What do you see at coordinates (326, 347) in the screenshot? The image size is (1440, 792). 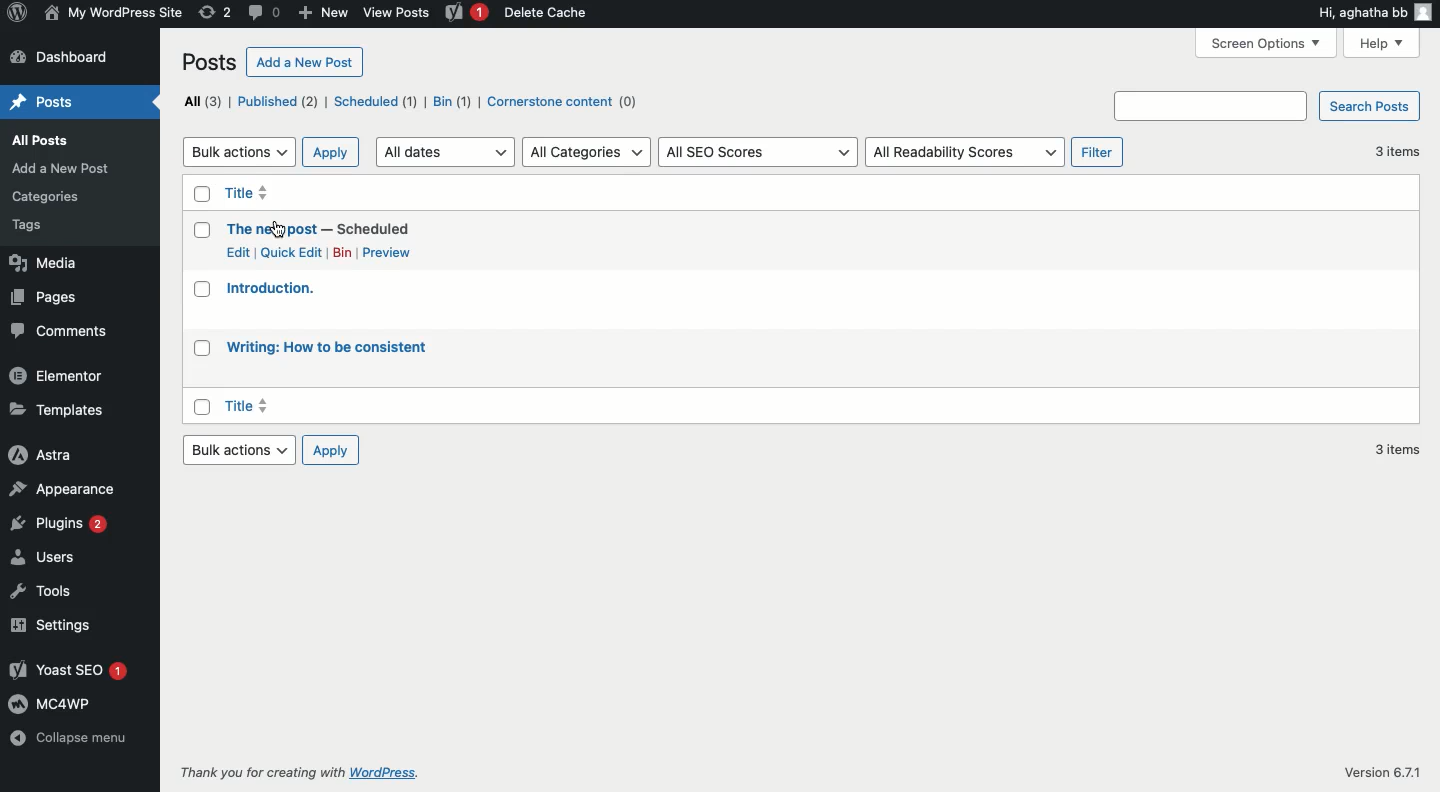 I see `Writing: How to be consistent` at bounding box center [326, 347].